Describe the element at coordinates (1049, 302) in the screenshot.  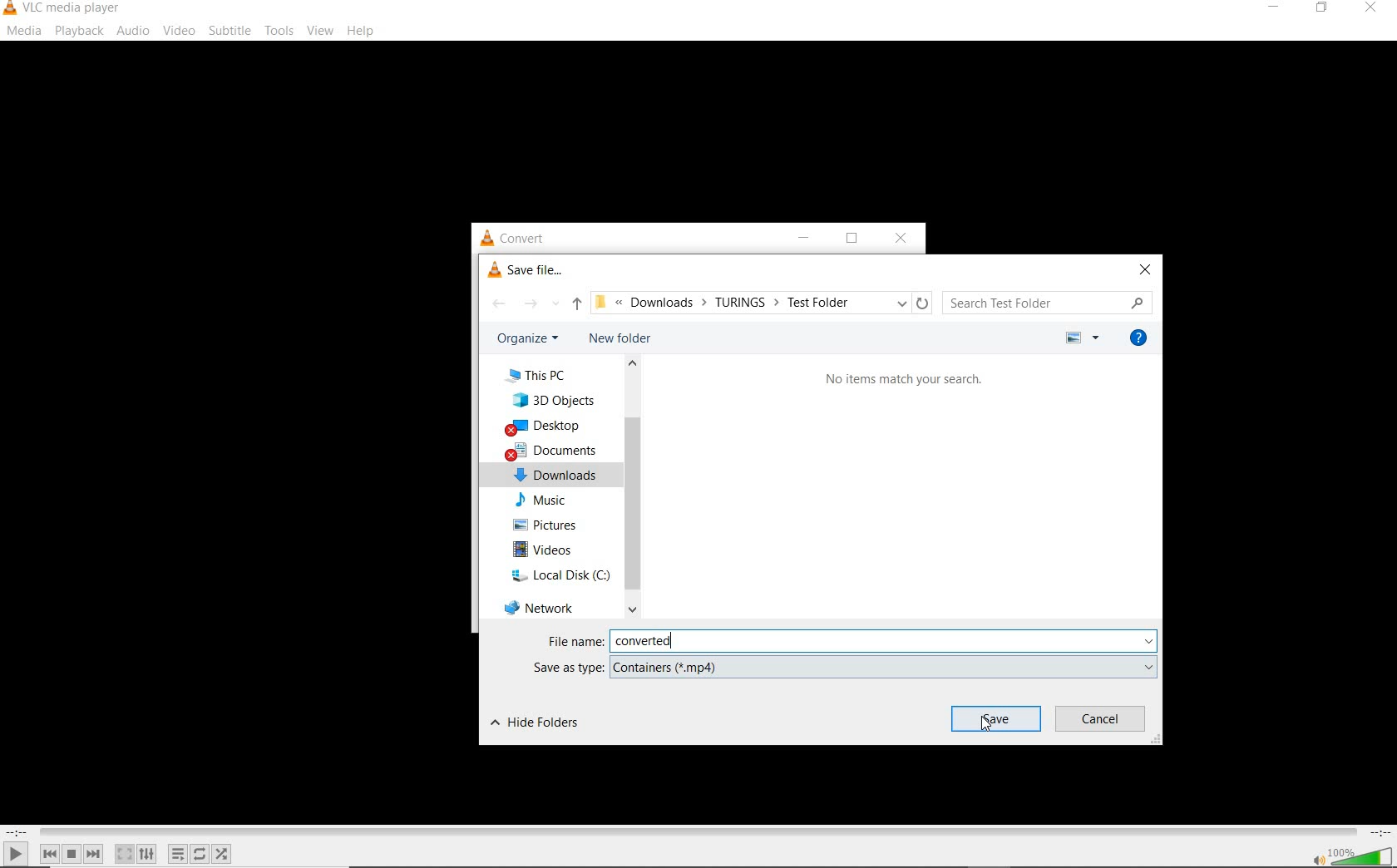
I see `search folder` at that location.